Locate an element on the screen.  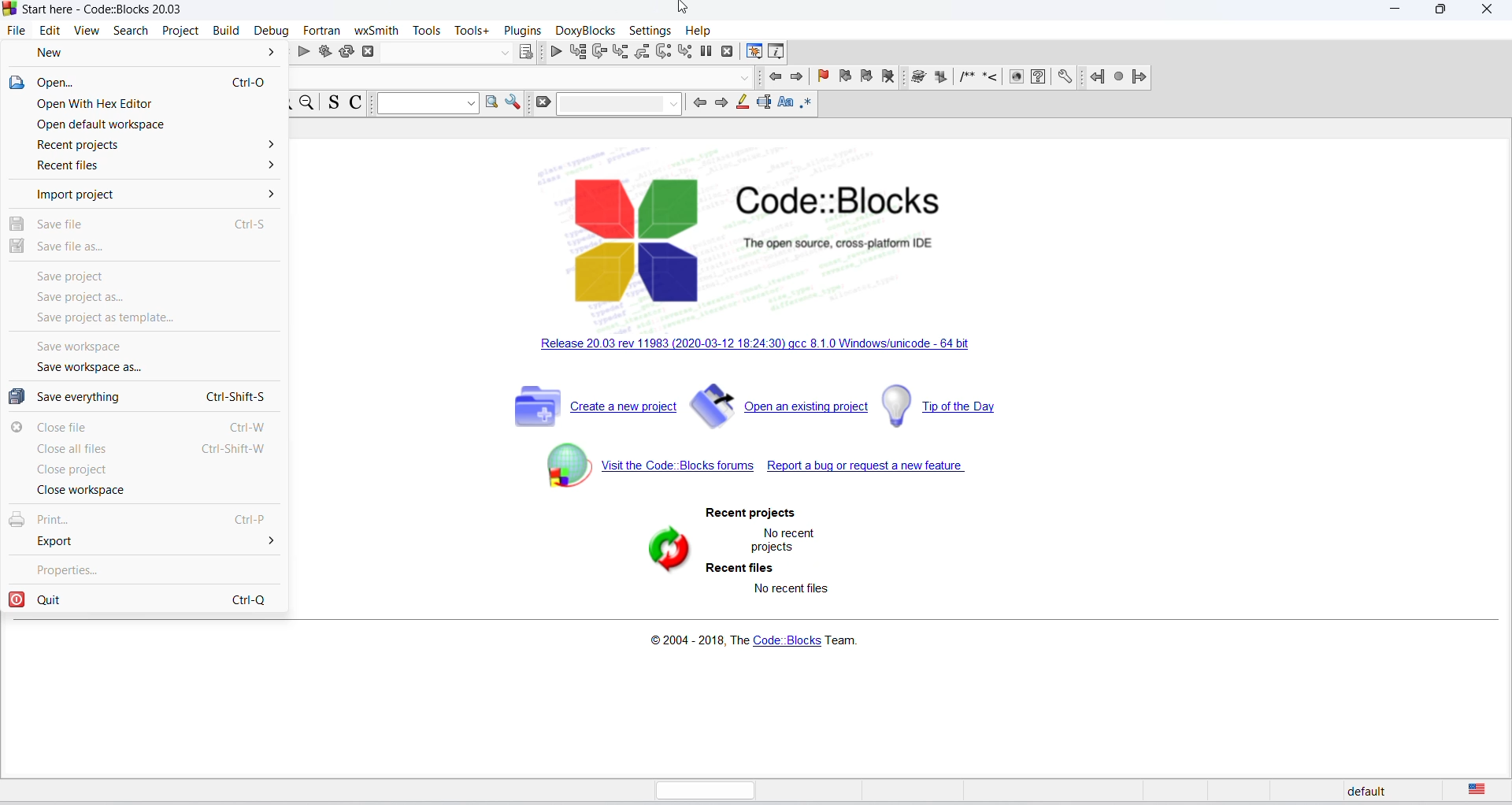
stop debugging is located at coordinates (730, 52).